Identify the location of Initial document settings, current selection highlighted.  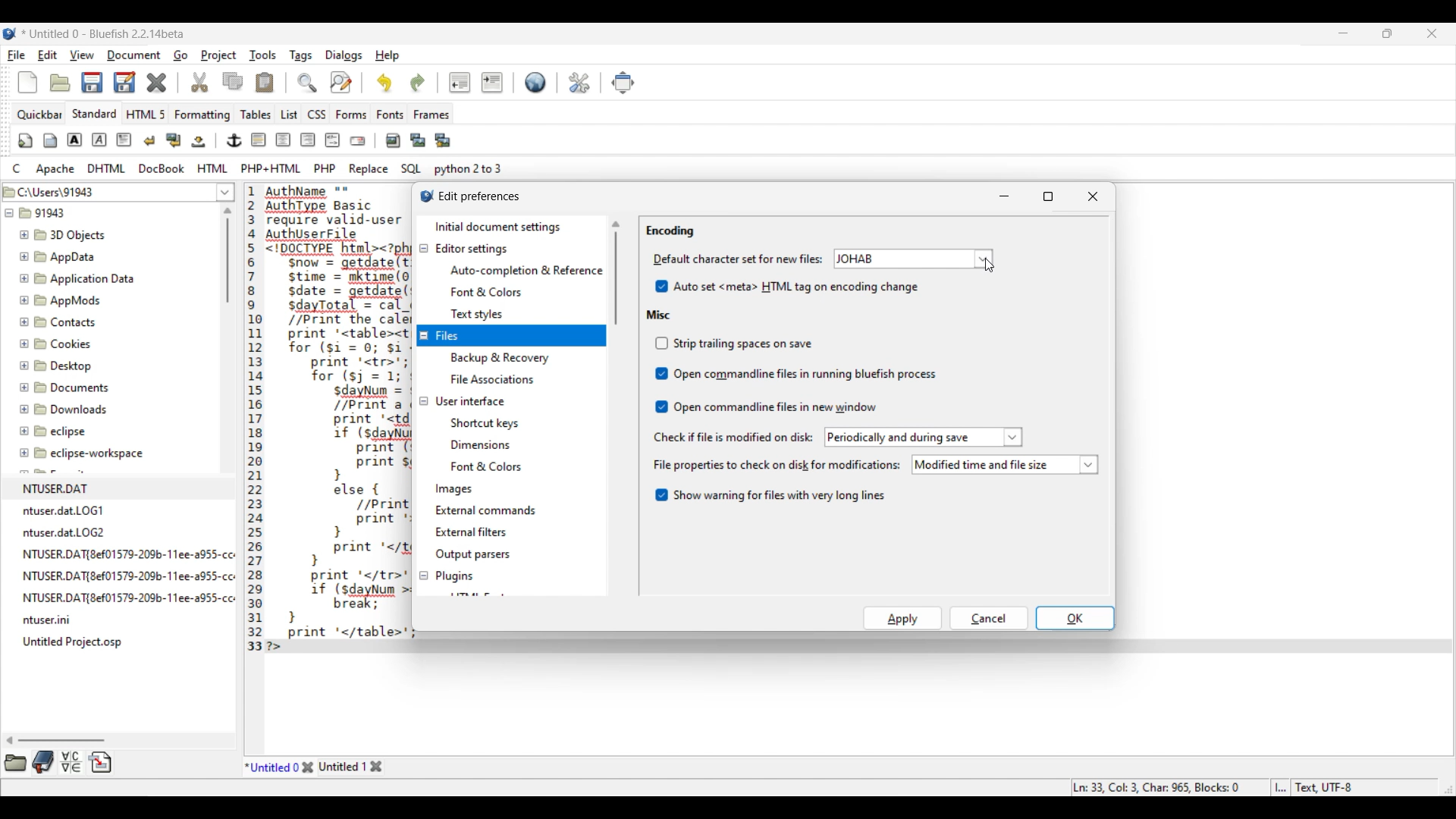
(511, 226).